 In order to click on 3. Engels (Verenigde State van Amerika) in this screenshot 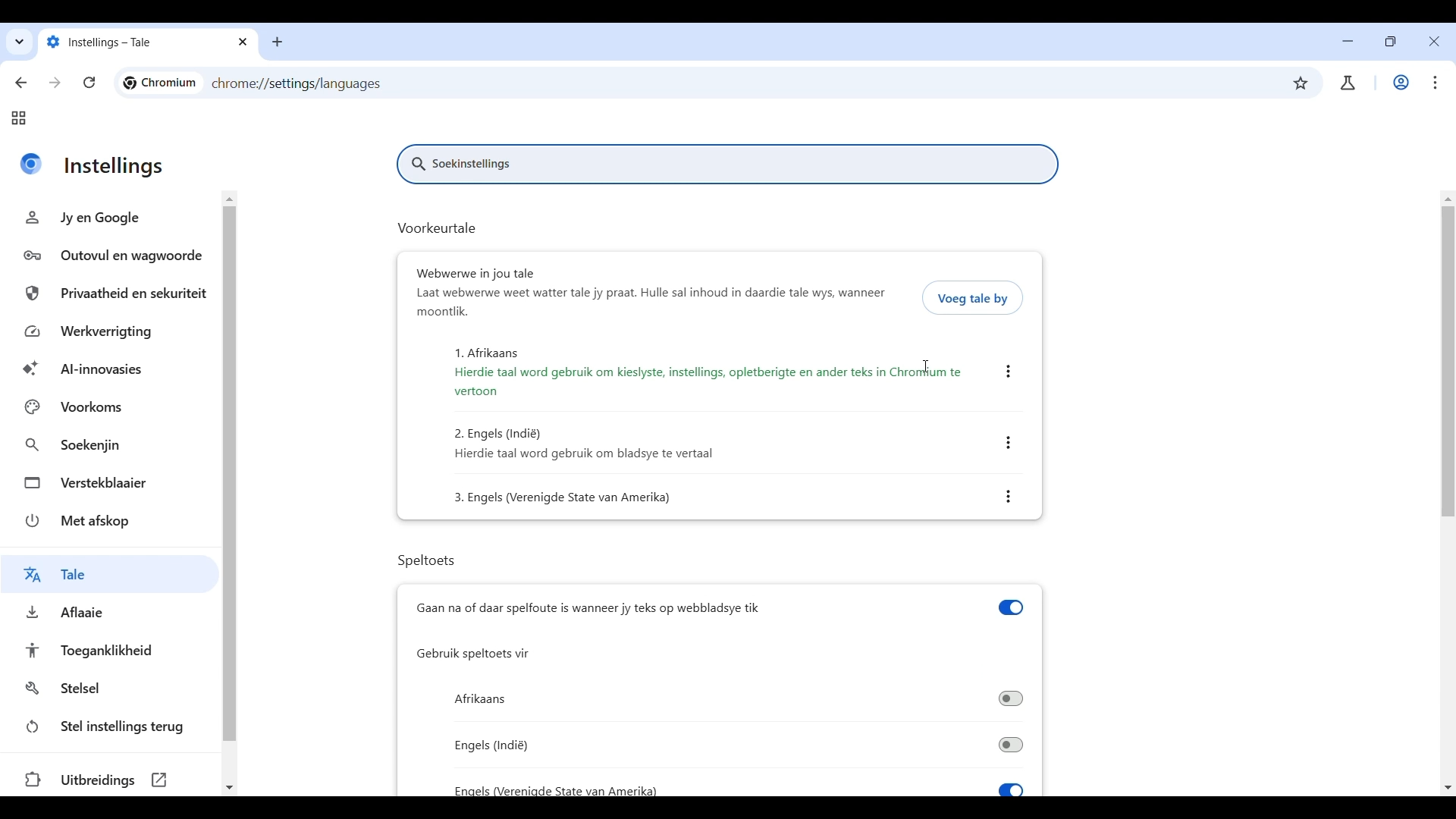, I will do `click(563, 500)`.